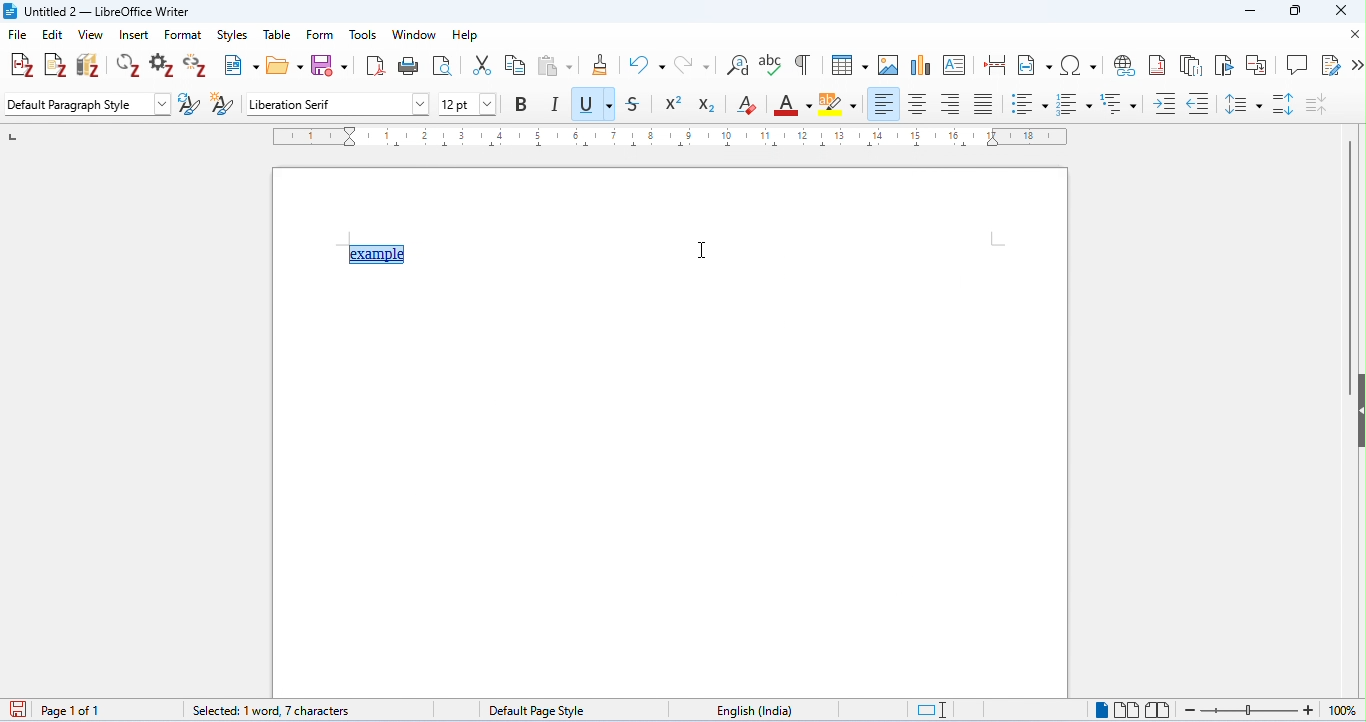 The width and height of the screenshot is (1366, 722). I want to click on line spacing, so click(1244, 103).